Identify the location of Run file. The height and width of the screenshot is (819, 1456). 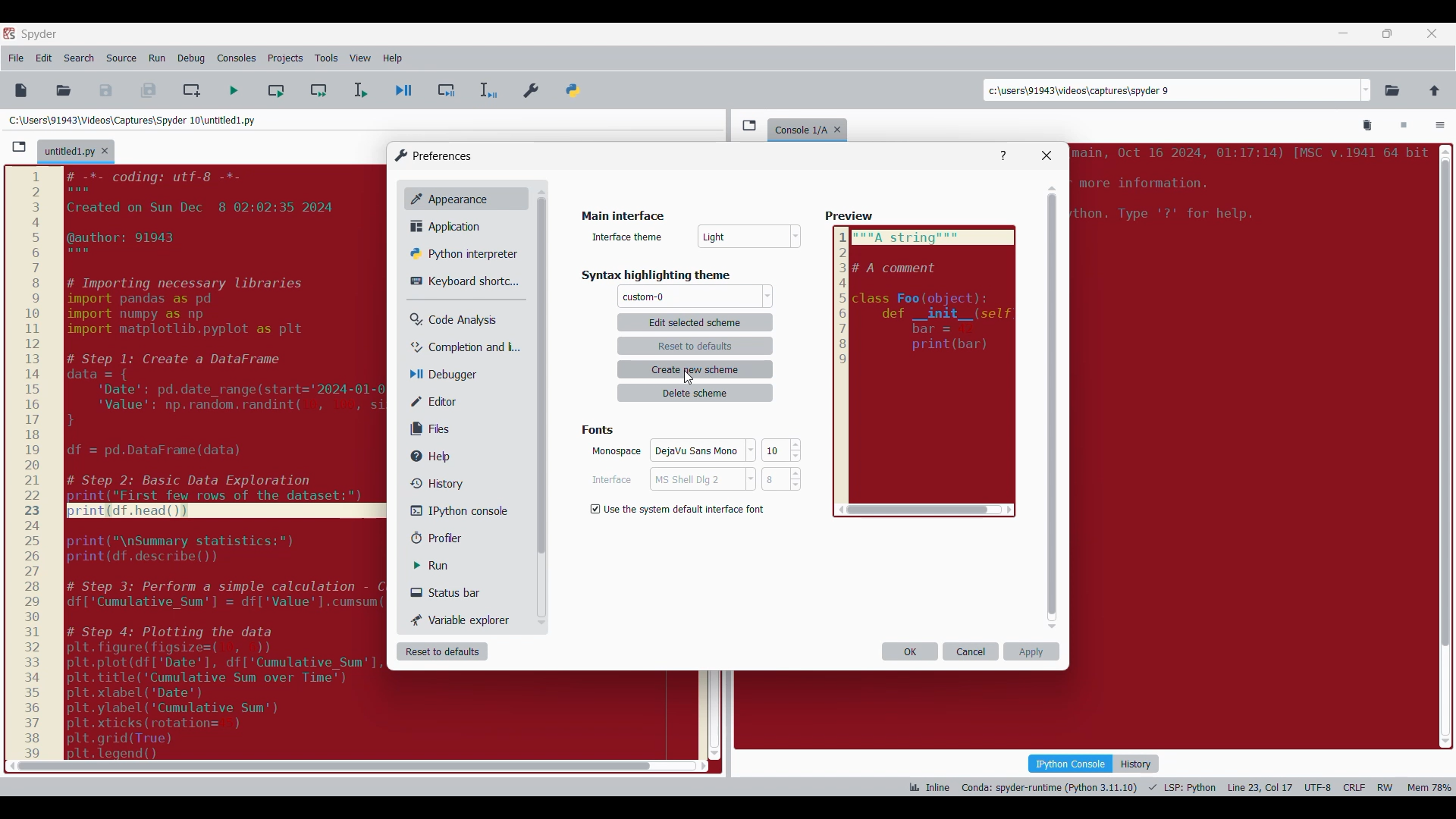
(234, 90).